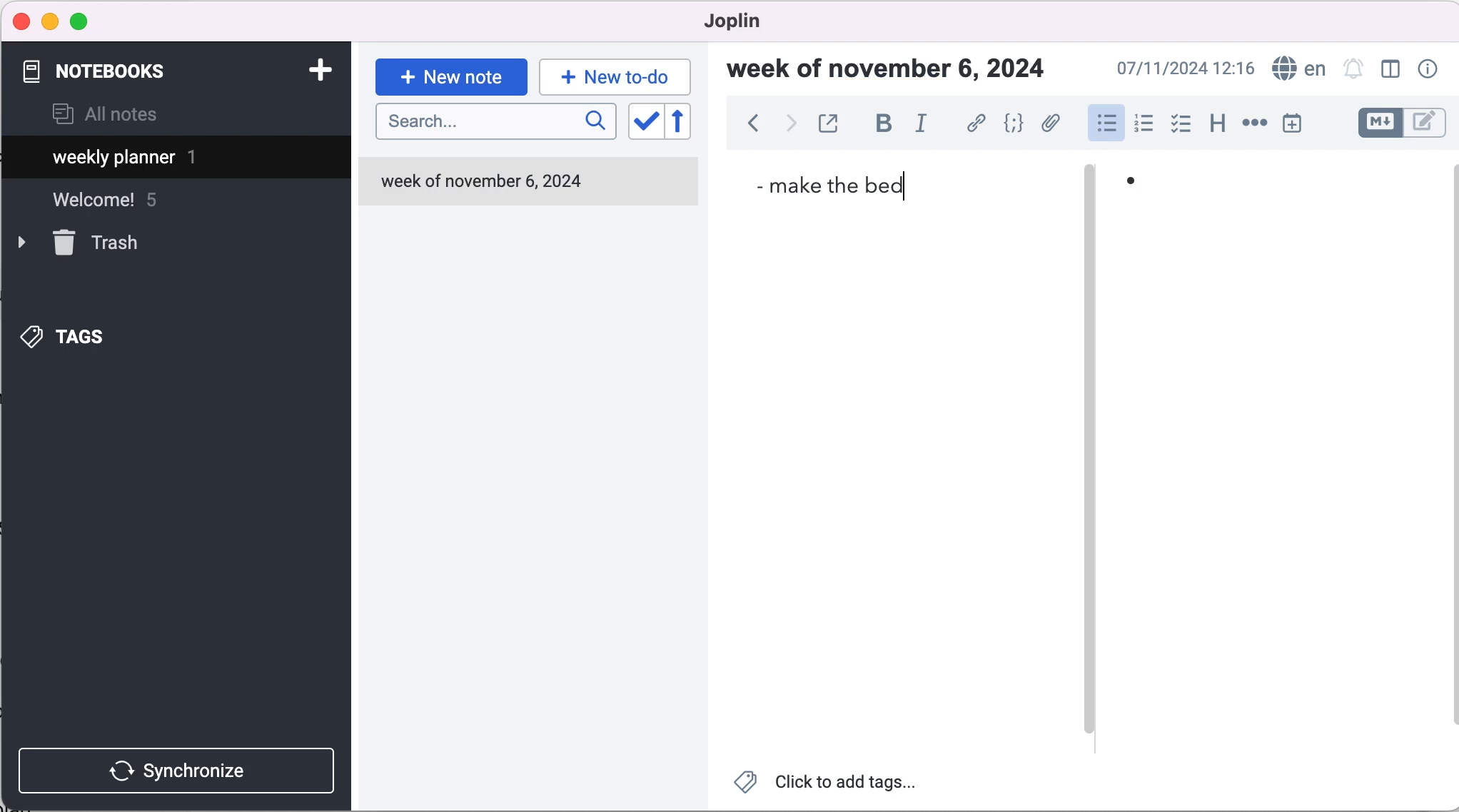 This screenshot has width=1459, height=812. Describe the element at coordinates (909, 188) in the screenshot. I see `text cursor` at that location.